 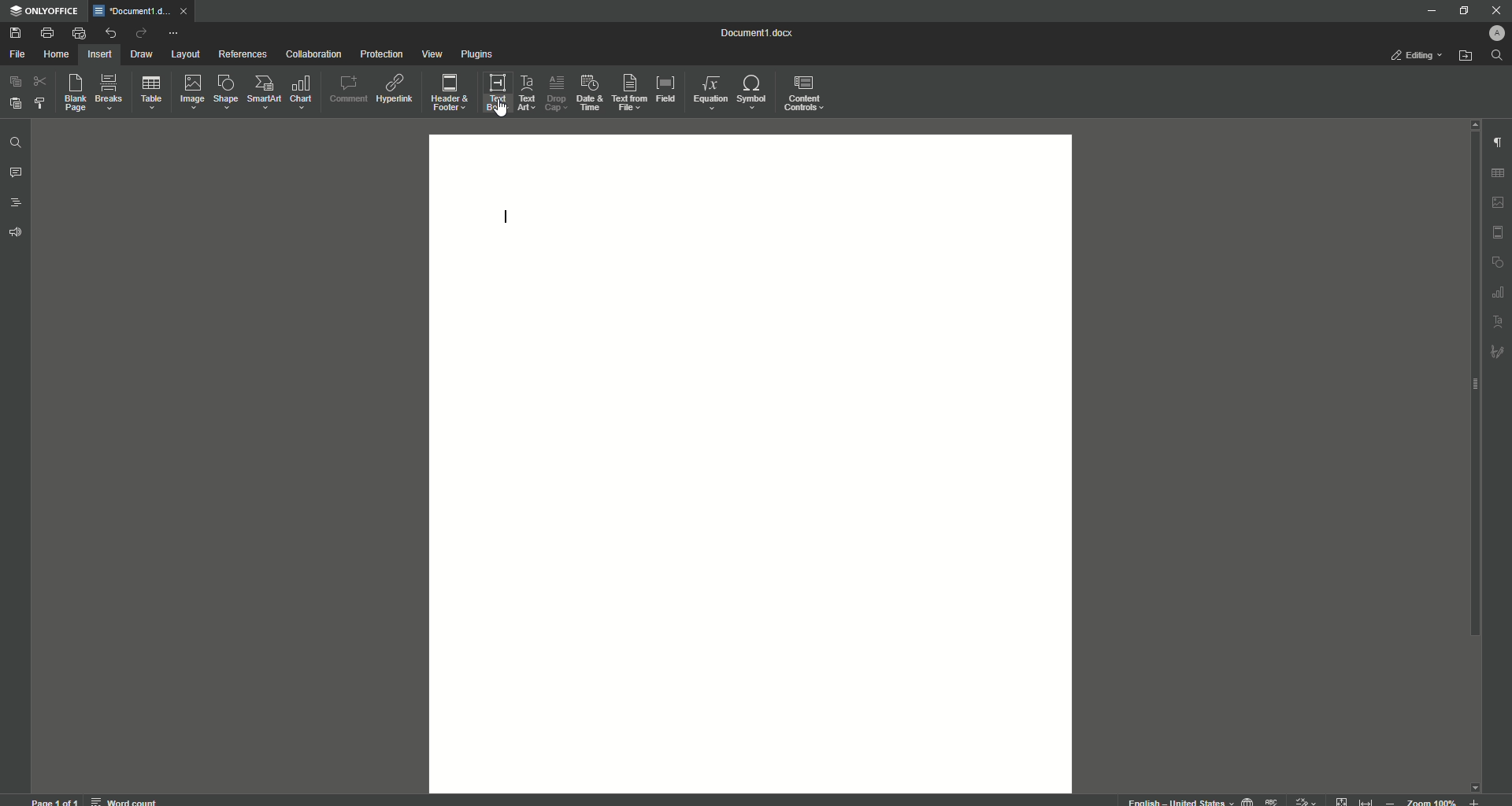 I want to click on View, so click(x=431, y=55).